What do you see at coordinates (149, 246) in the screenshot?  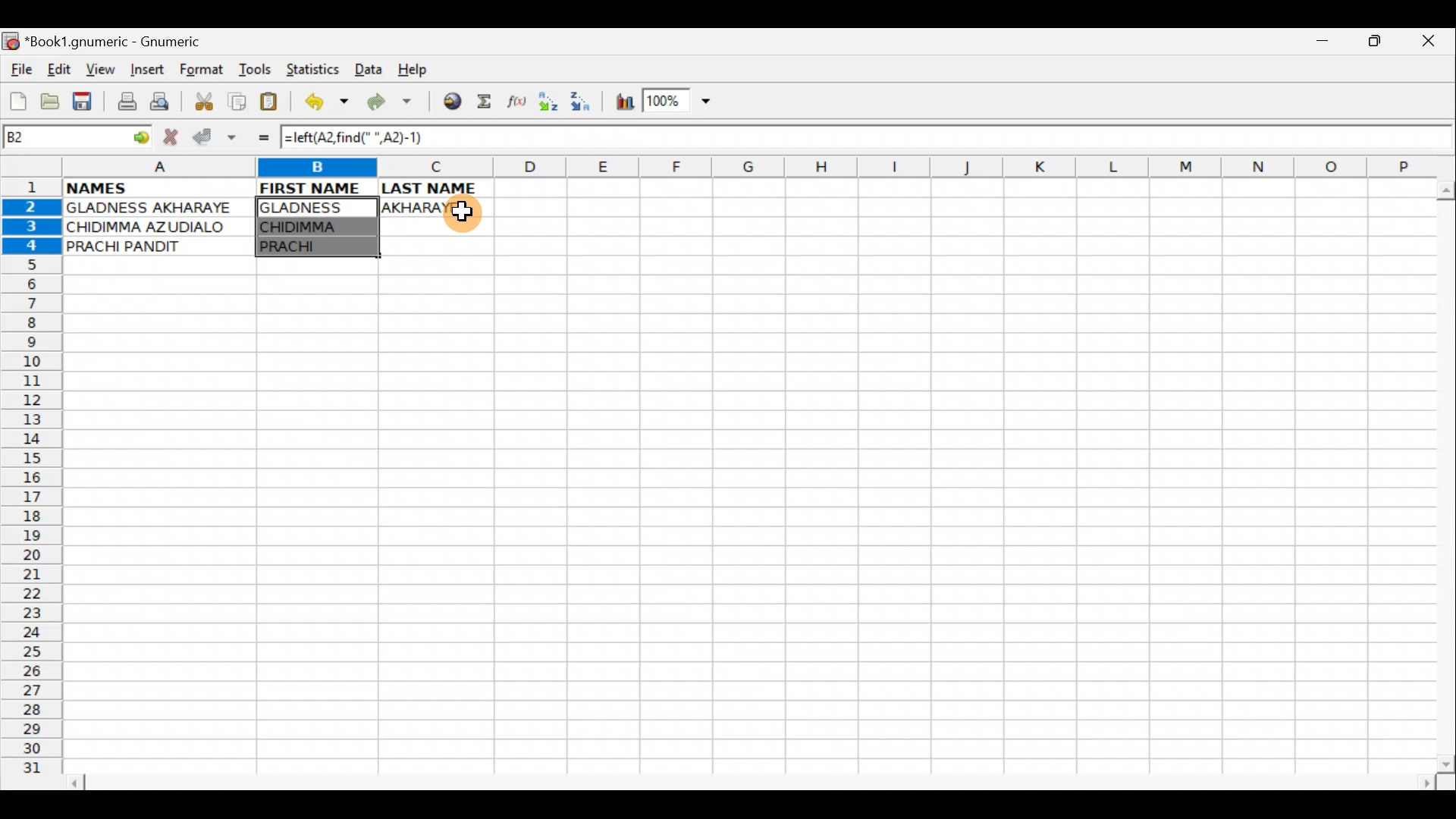 I see `PRACHI PANDIT` at bounding box center [149, 246].